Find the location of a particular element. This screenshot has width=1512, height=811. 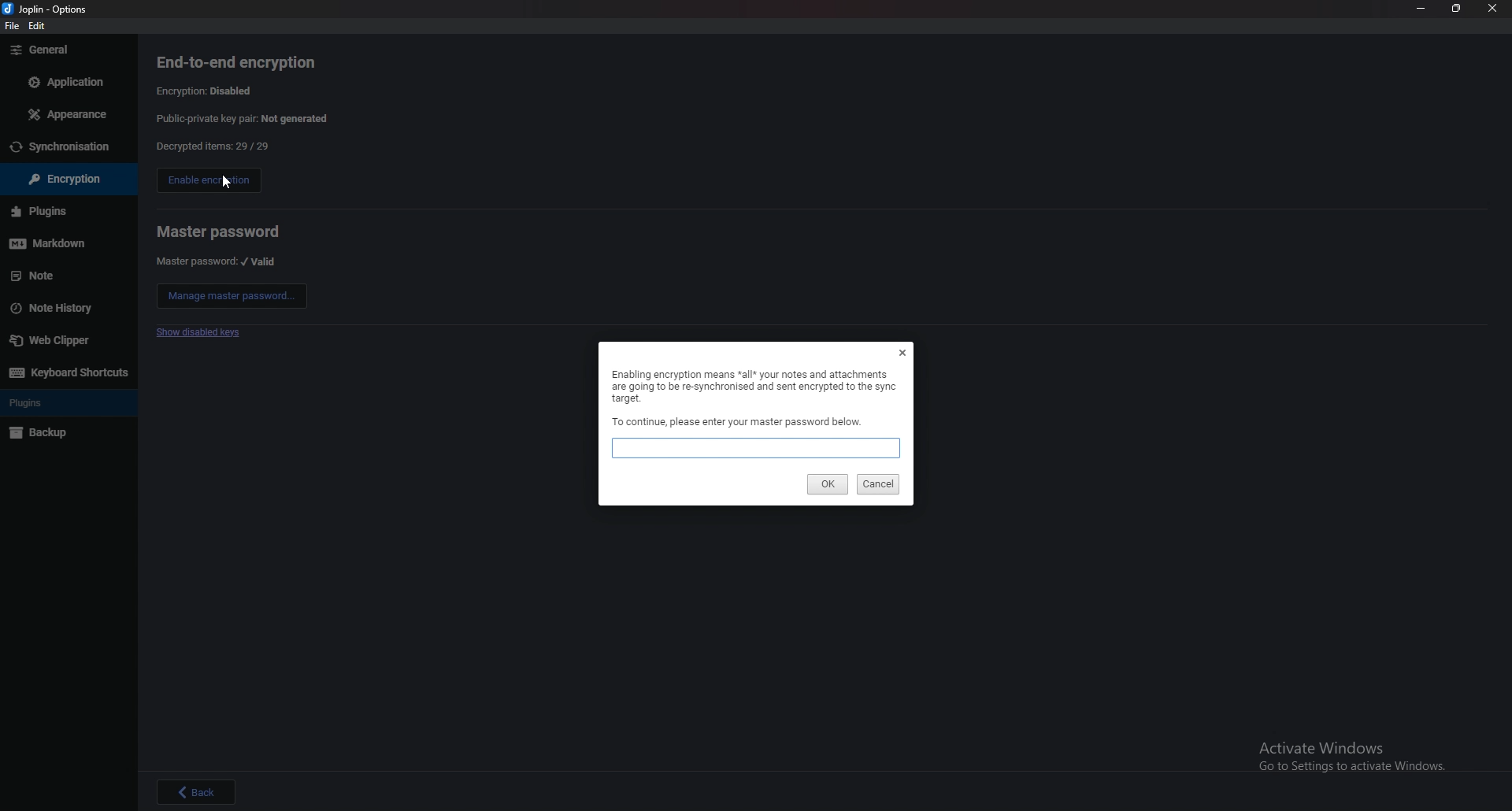

 is located at coordinates (65, 115).